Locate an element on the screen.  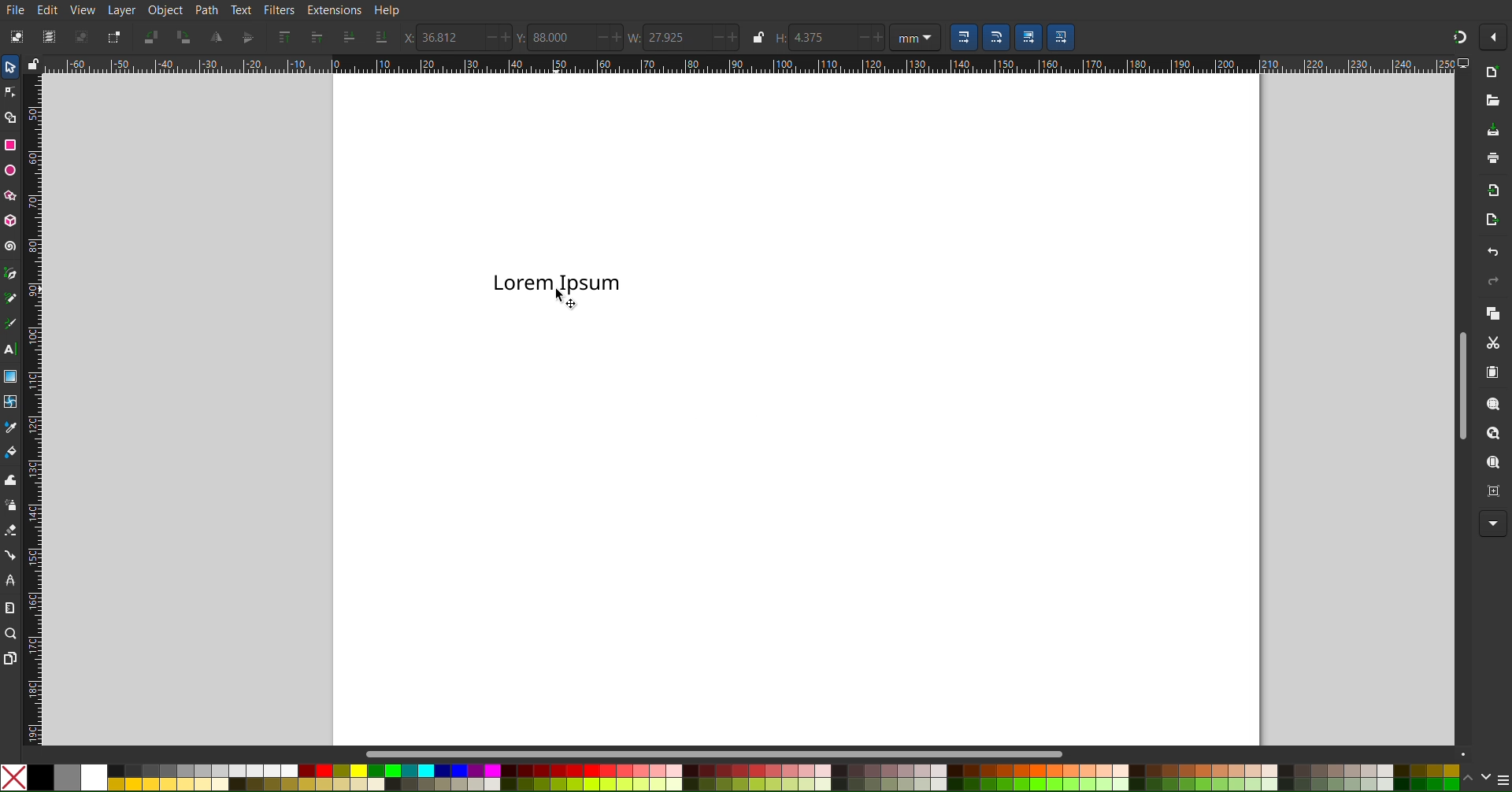
Toggle Selection Box is located at coordinates (111, 36).